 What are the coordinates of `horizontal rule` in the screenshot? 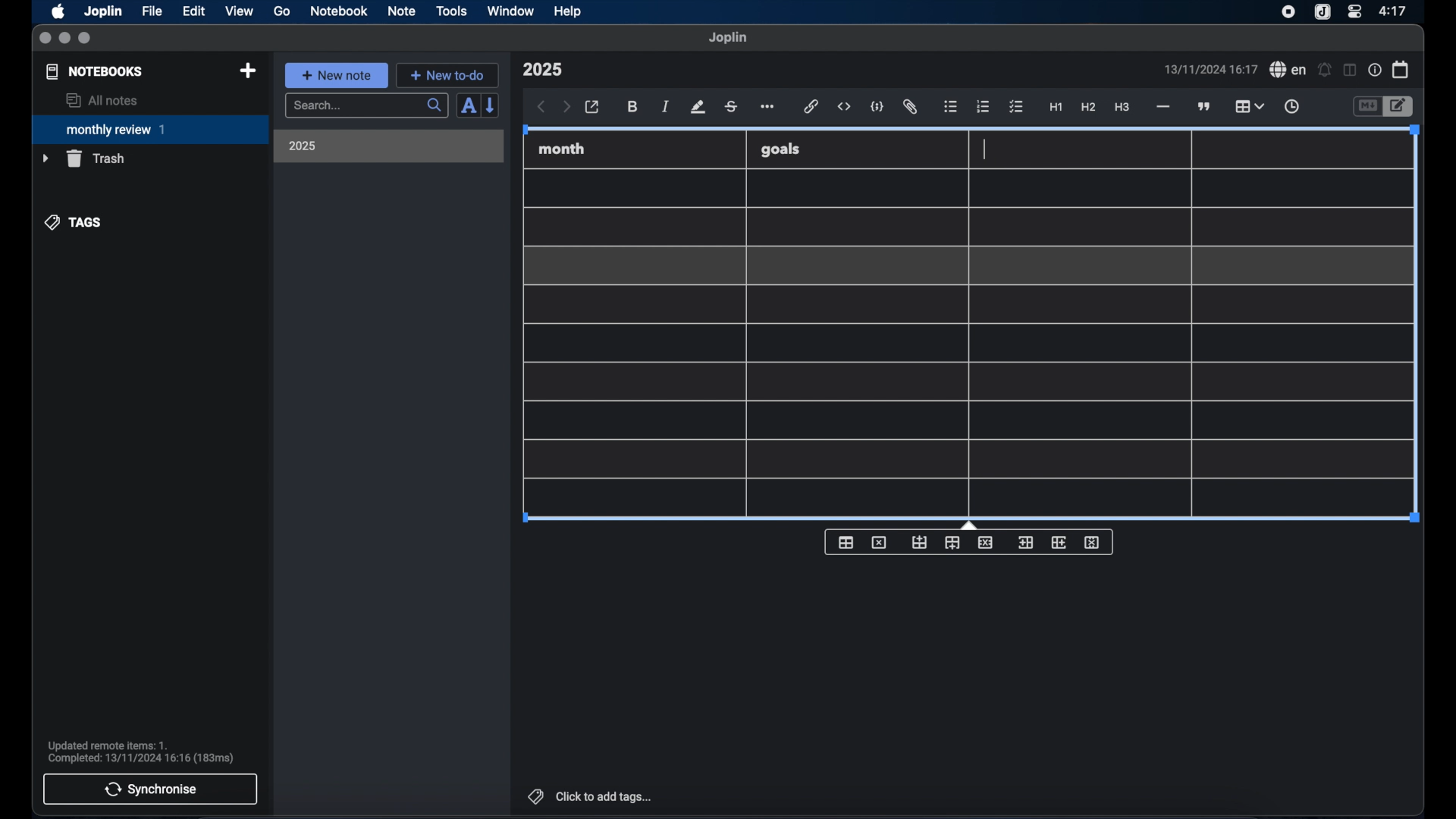 It's located at (1162, 107).